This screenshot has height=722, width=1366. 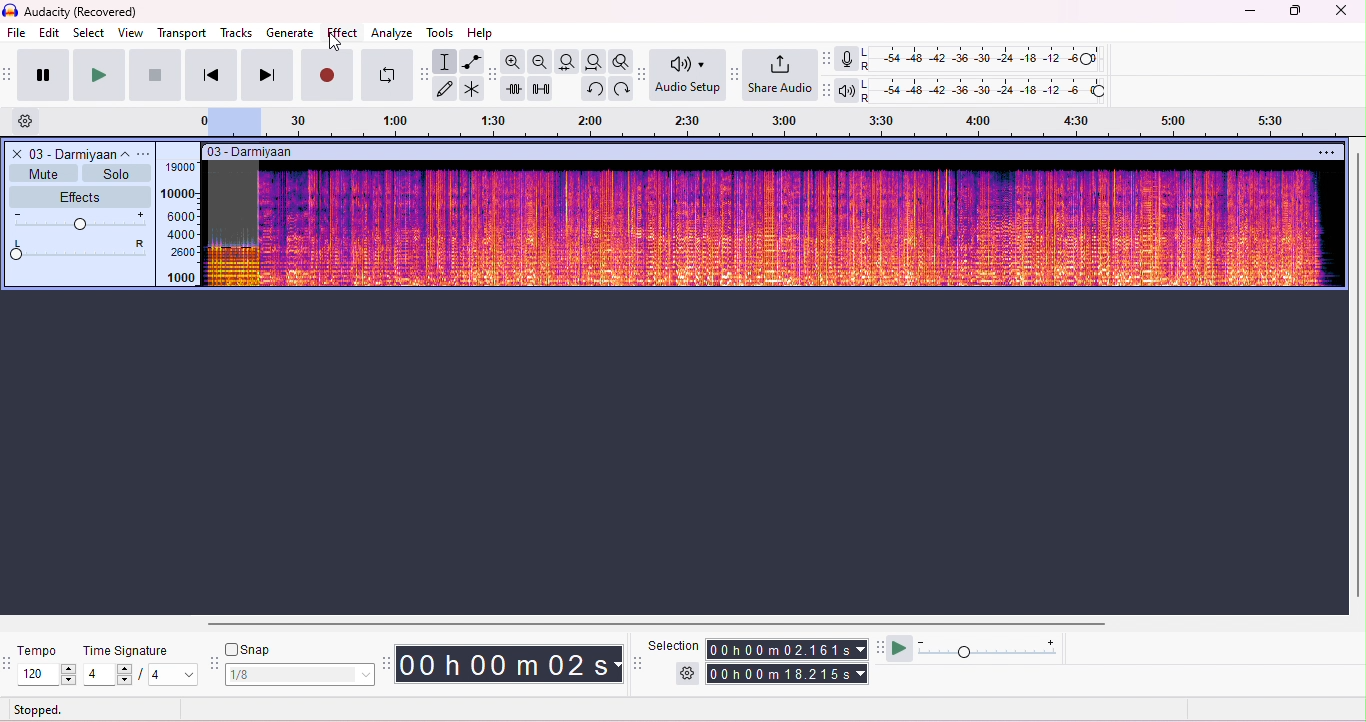 I want to click on snap tool bar, so click(x=215, y=661).